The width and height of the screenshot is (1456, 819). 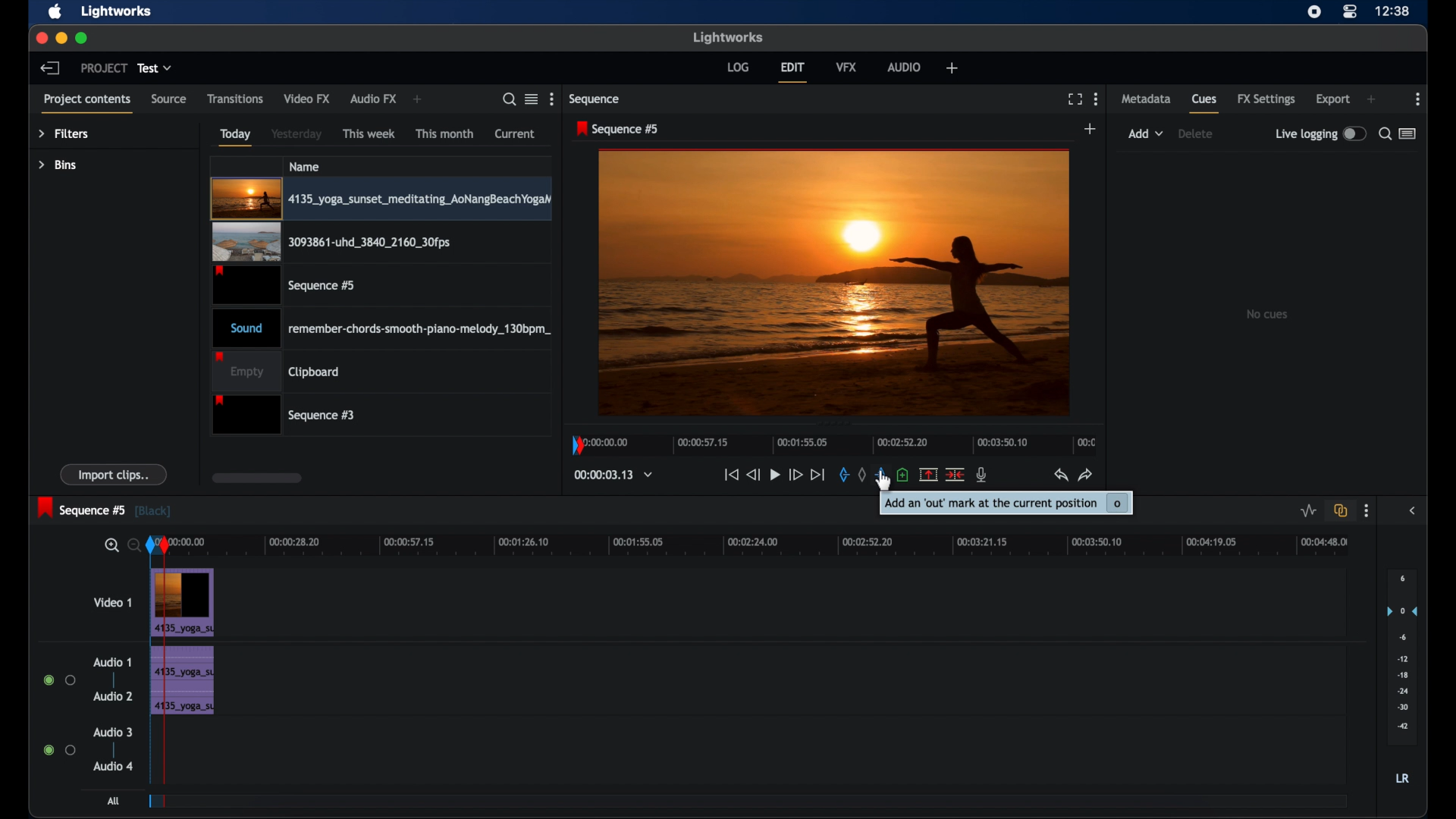 What do you see at coordinates (1402, 652) in the screenshot?
I see `audio output level` at bounding box center [1402, 652].